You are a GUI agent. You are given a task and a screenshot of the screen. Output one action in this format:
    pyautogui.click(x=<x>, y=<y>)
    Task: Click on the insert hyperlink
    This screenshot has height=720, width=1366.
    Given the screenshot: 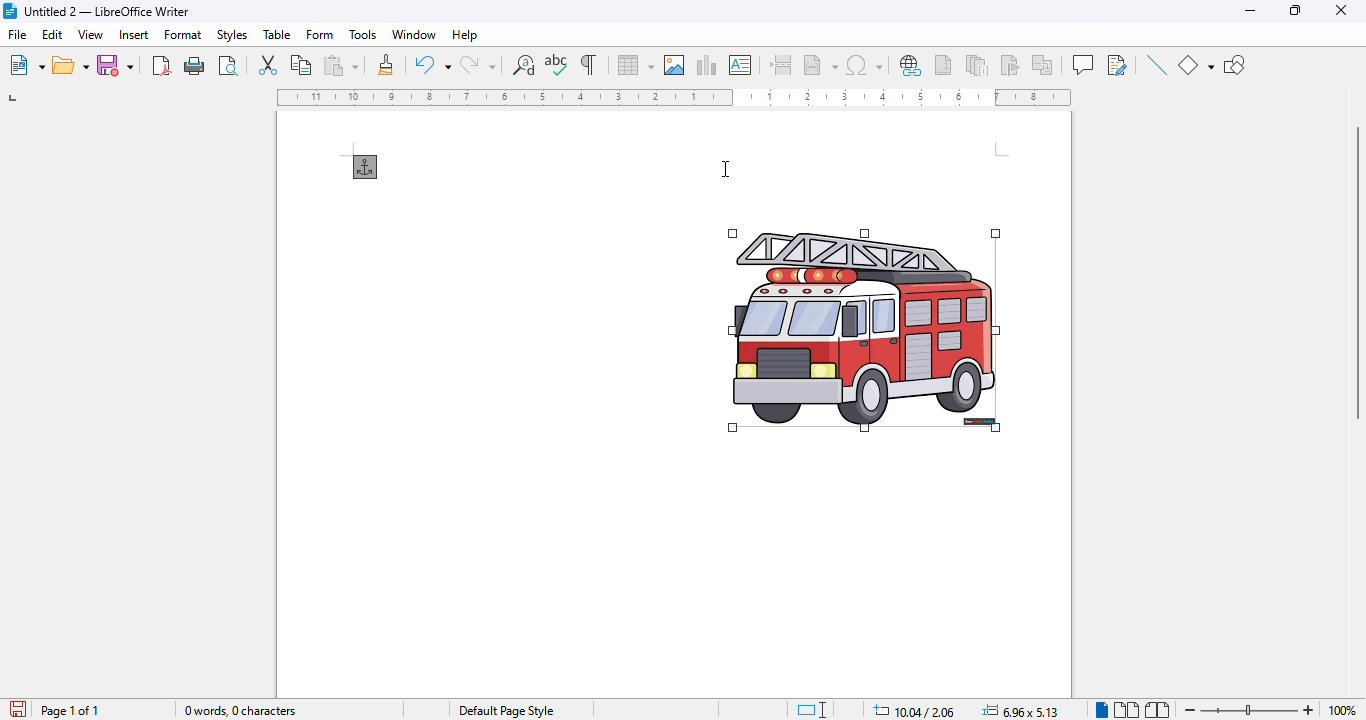 What is the action you would take?
    pyautogui.click(x=912, y=66)
    